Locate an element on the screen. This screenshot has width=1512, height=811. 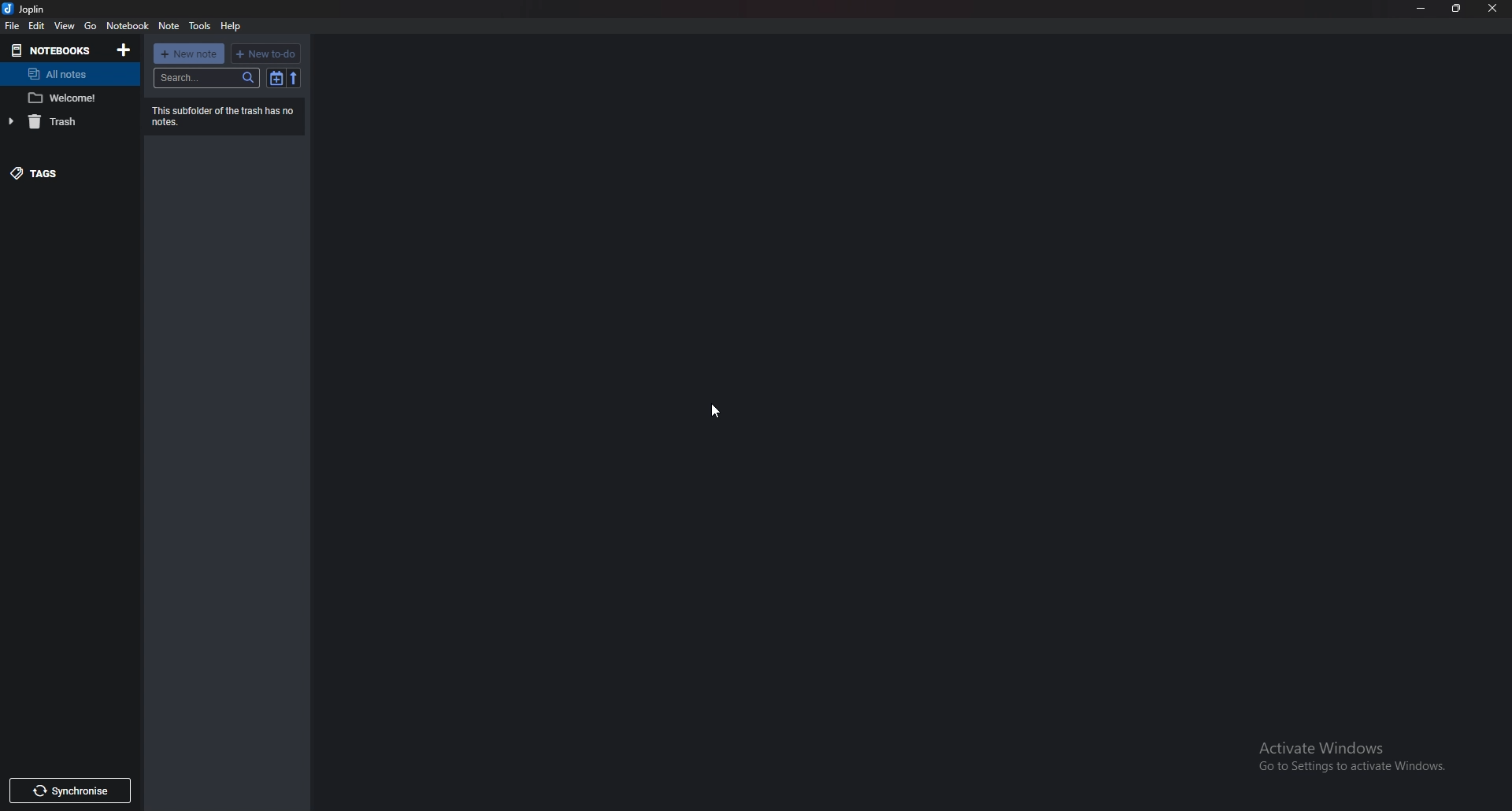
minimize is located at coordinates (1421, 9).